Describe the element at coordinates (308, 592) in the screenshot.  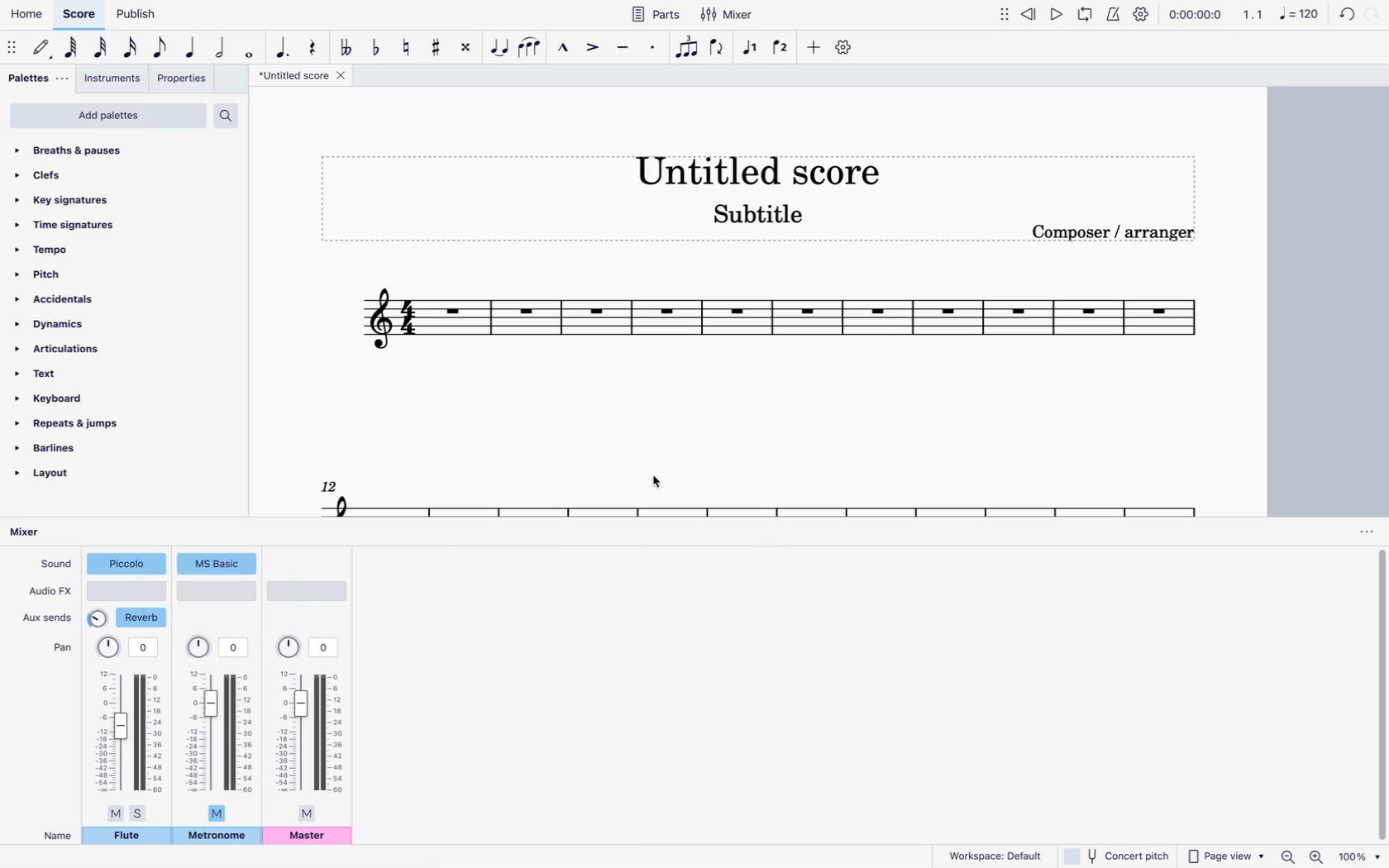
I see `audio type` at that location.